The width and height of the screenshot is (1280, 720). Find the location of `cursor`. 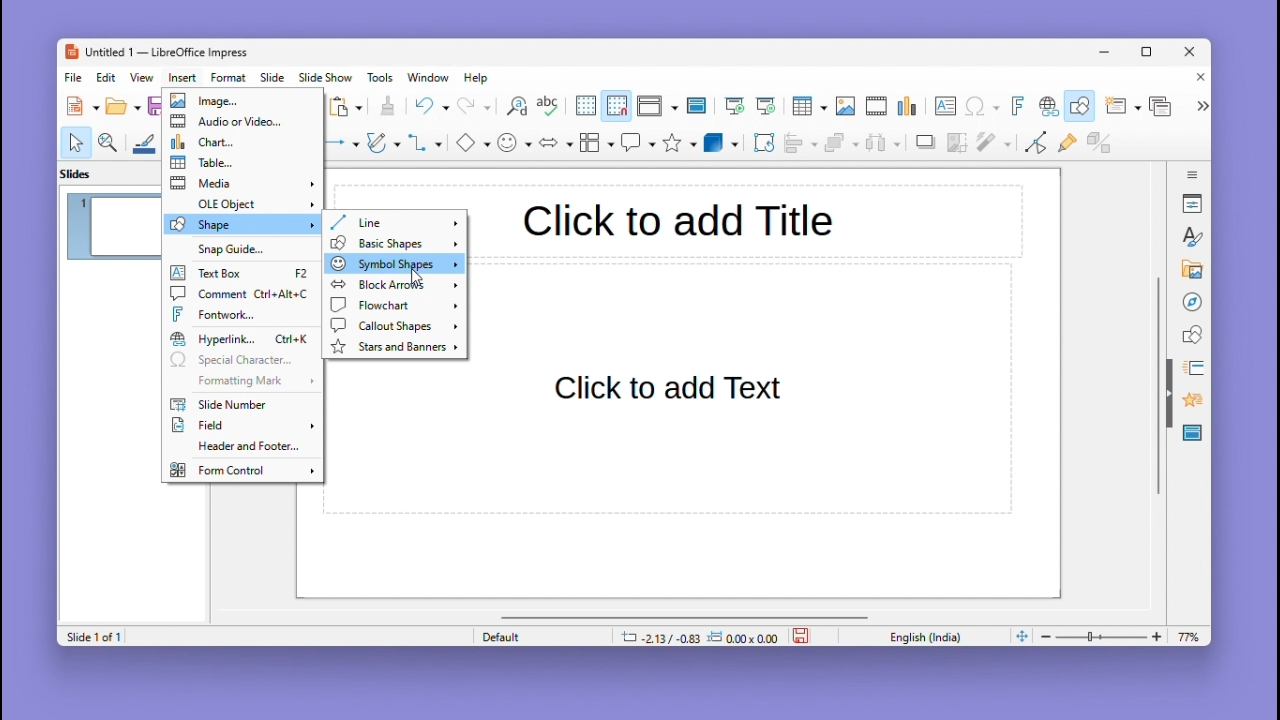

cursor is located at coordinates (414, 277).